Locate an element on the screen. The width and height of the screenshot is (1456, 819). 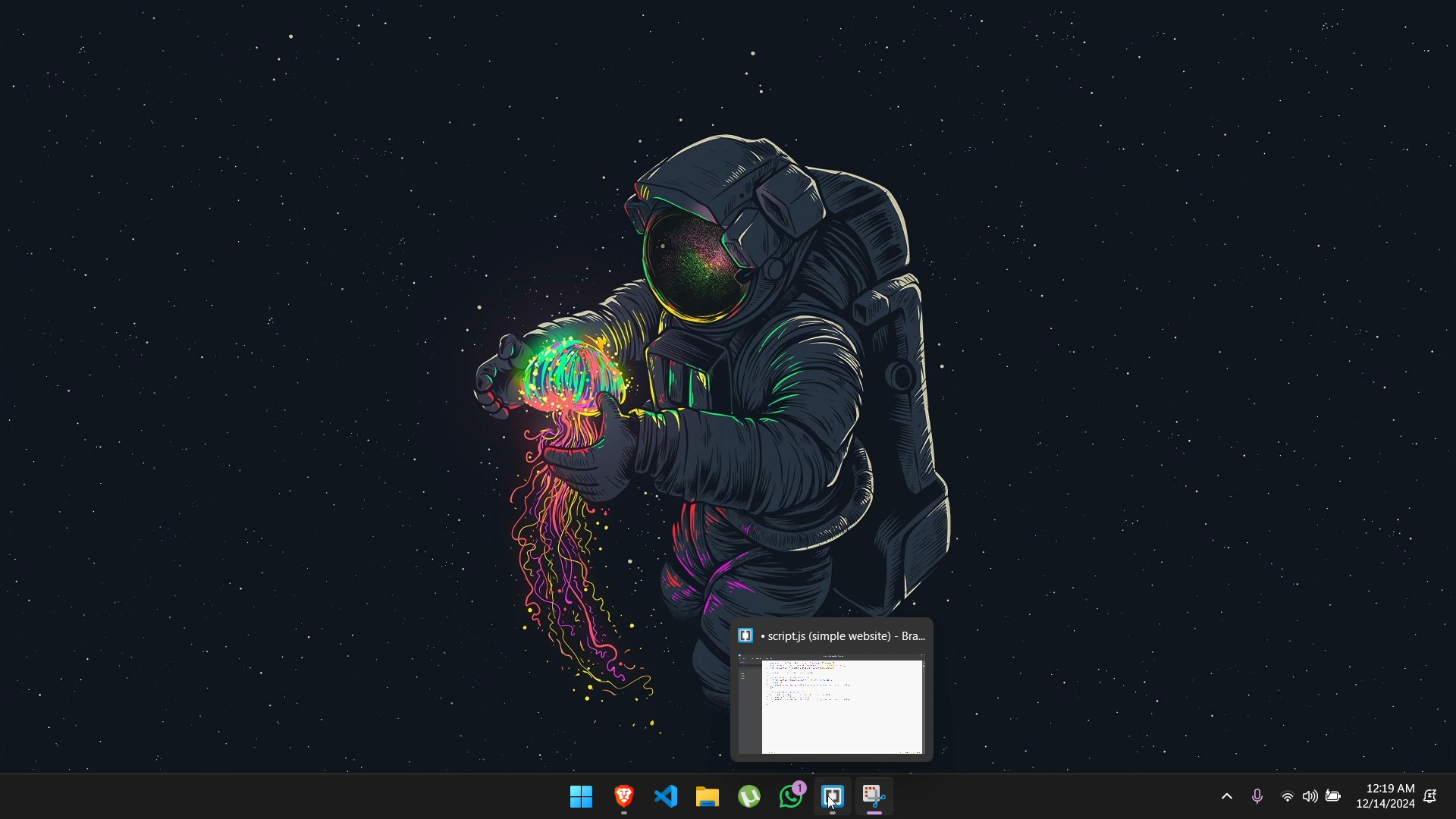
cursor is located at coordinates (831, 806).